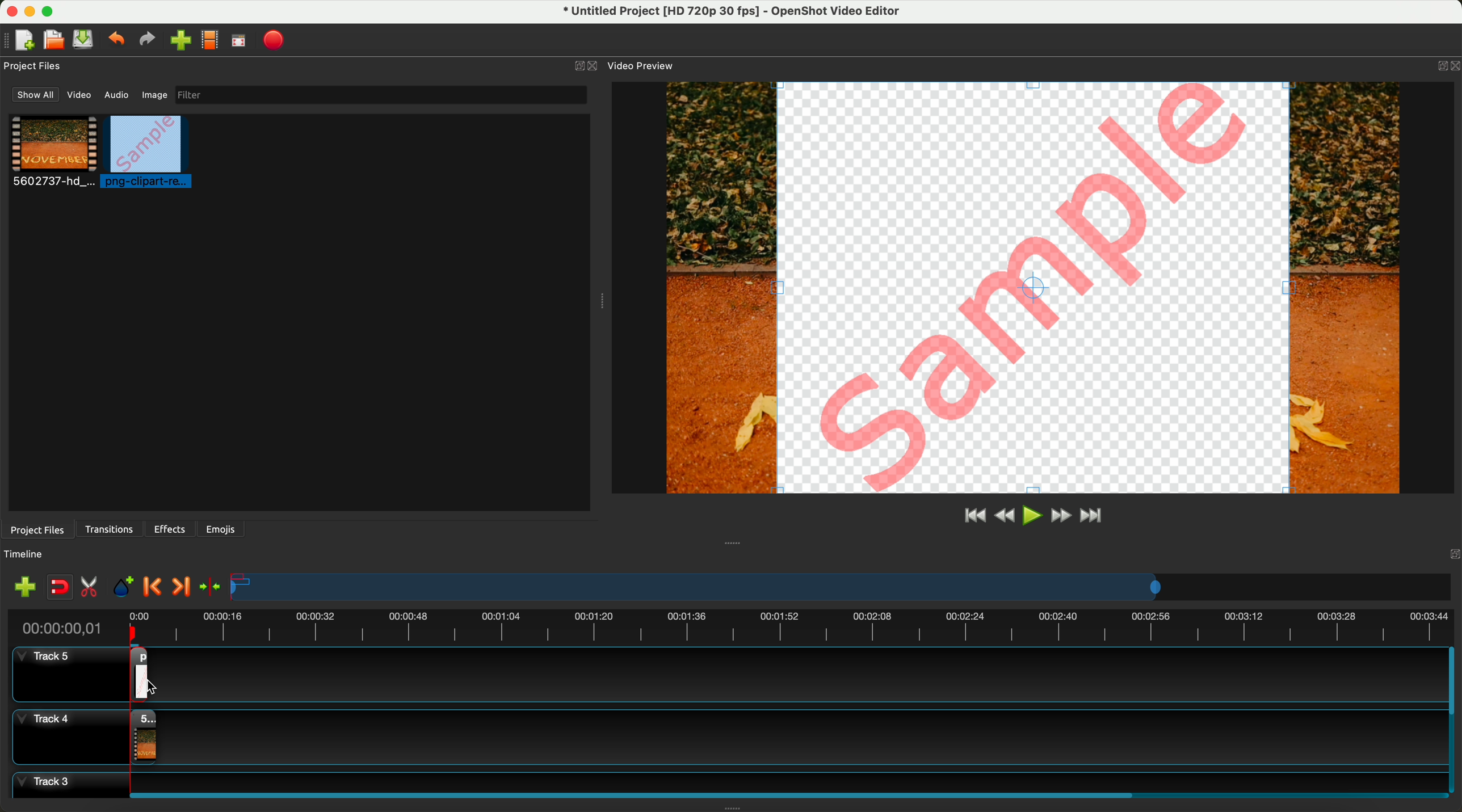 The width and height of the screenshot is (1462, 812). Describe the element at coordinates (378, 95) in the screenshot. I see `filter` at that location.